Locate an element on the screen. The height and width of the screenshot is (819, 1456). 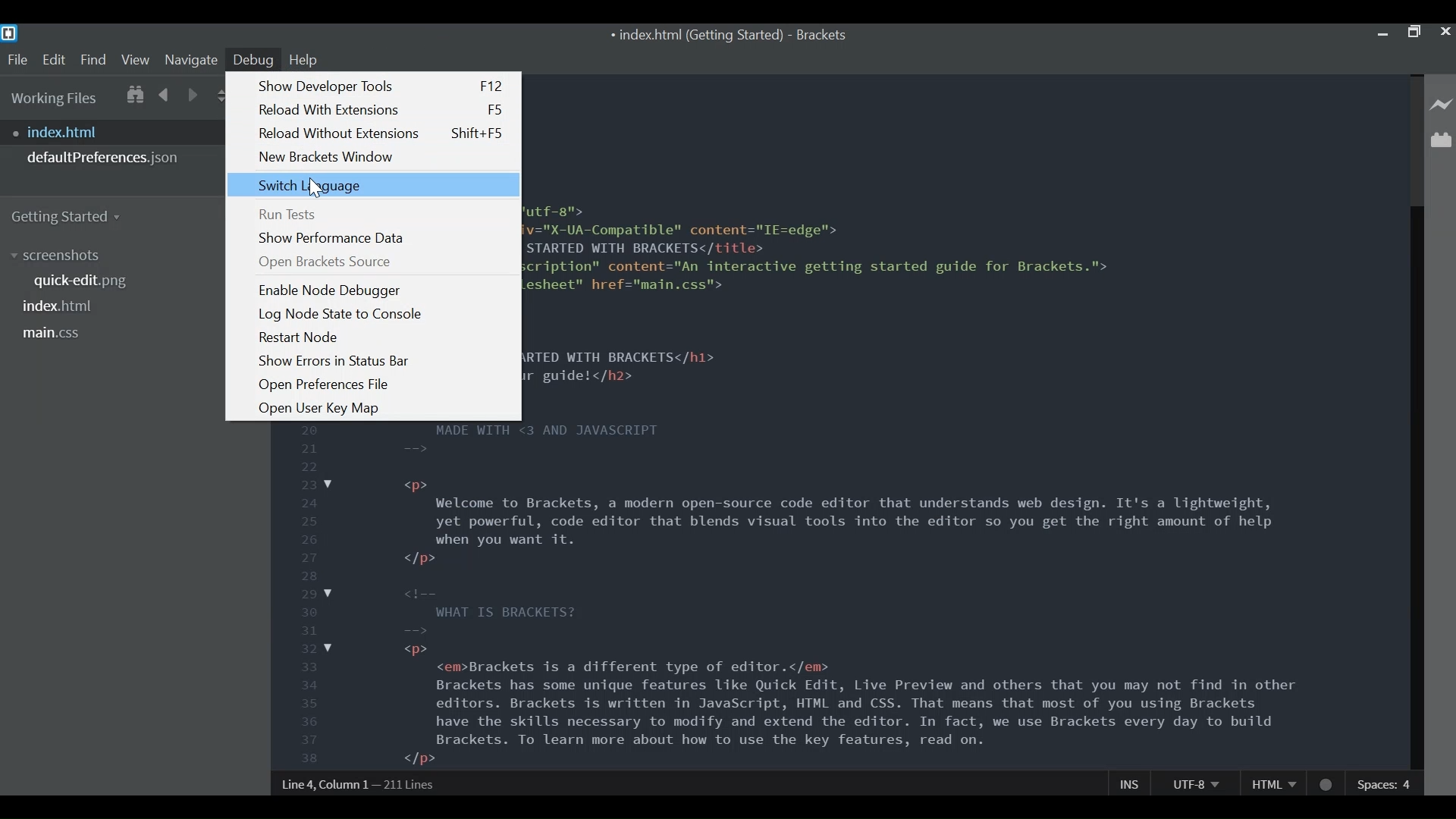
Show Errors in Status bar is located at coordinates (340, 361).